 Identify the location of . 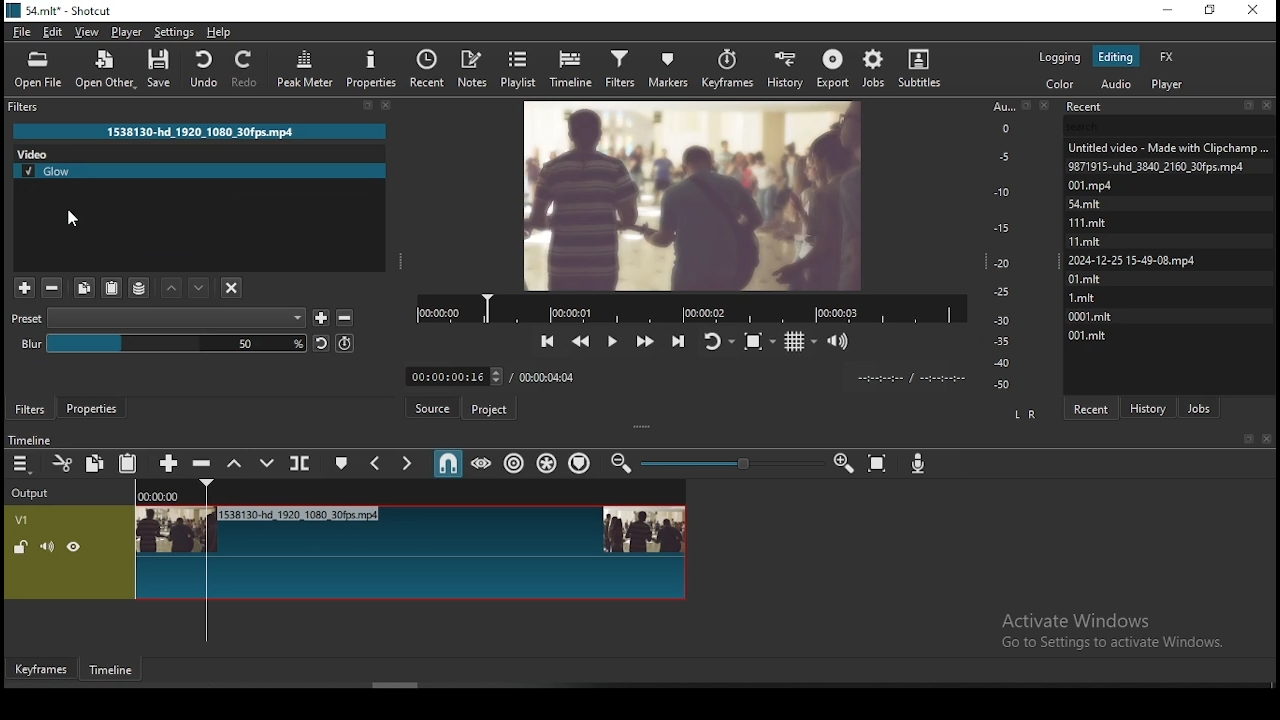
(344, 343).